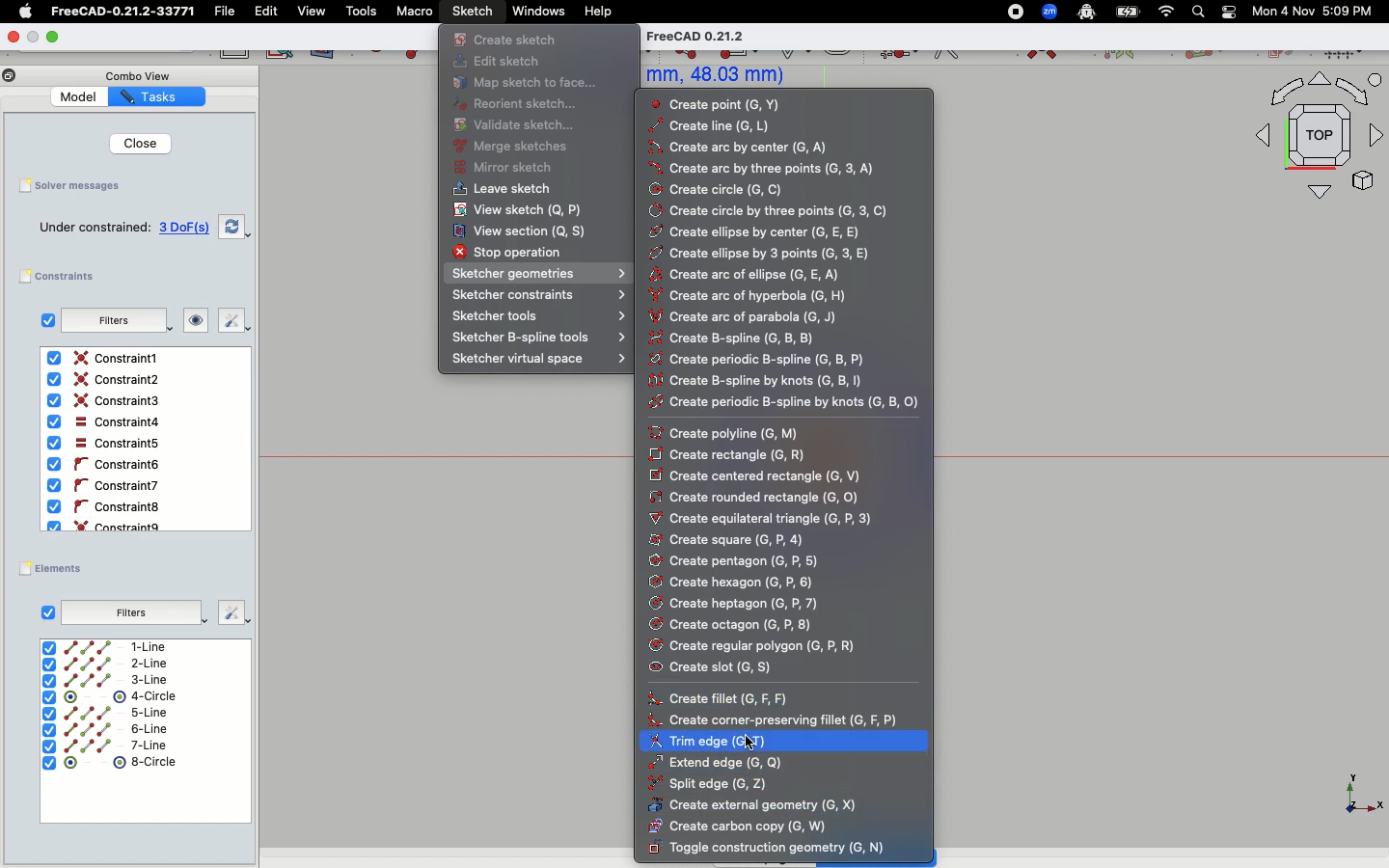 The width and height of the screenshot is (1389, 868). I want to click on Create arc of parabola, so click(745, 319).